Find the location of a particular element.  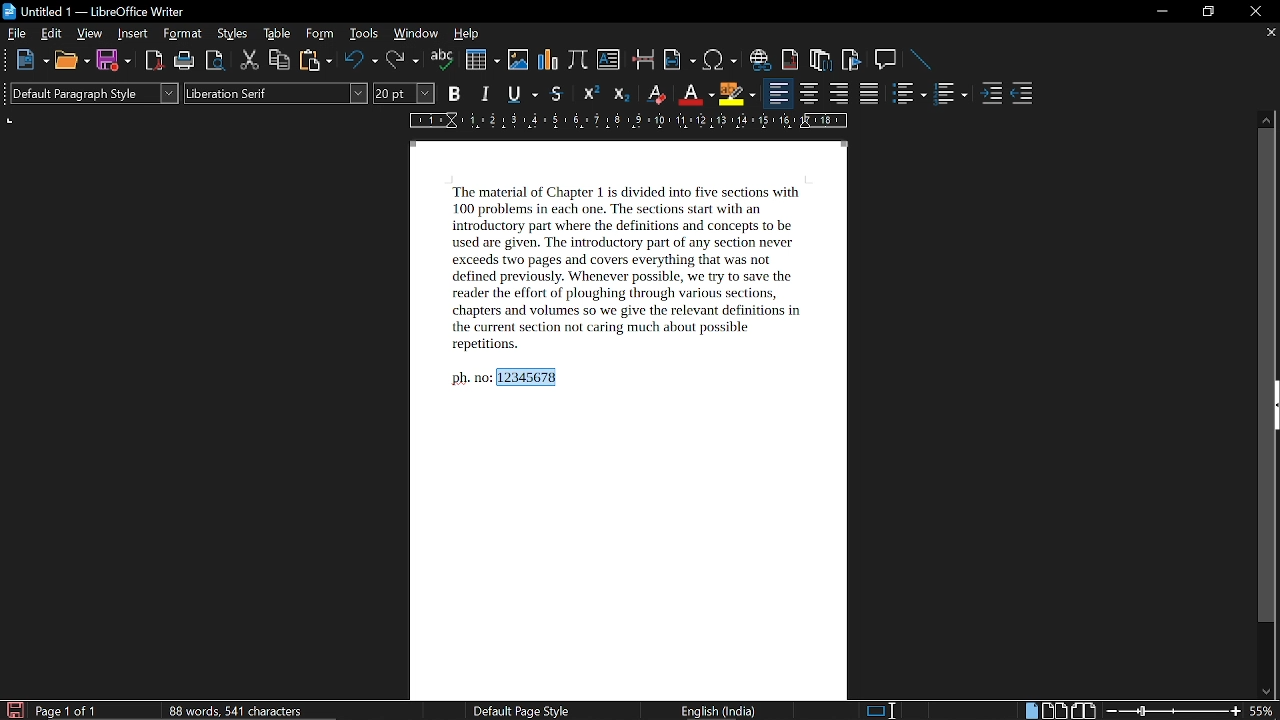

font color is located at coordinates (694, 95).